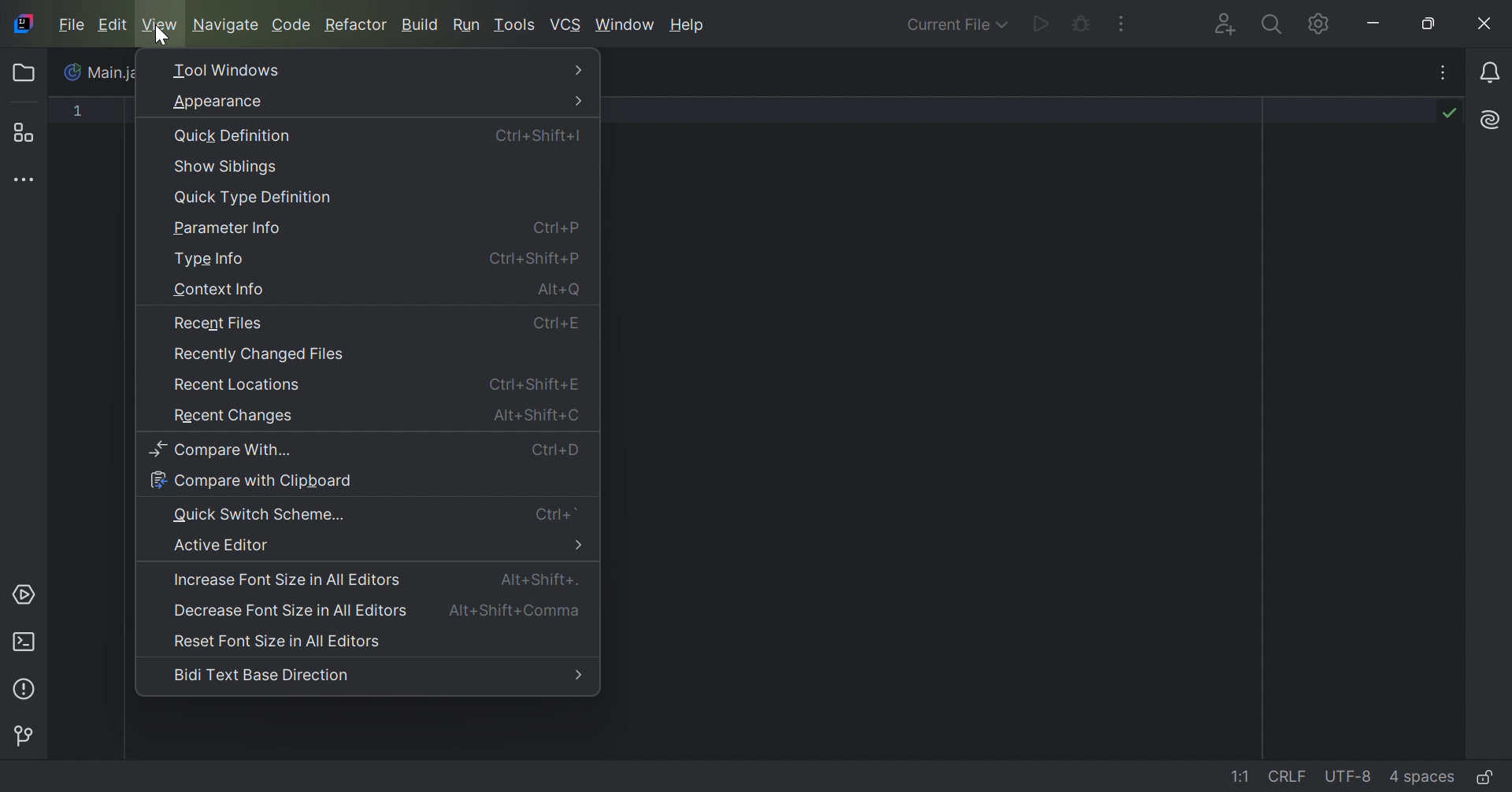  I want to click on Search everywhere, so click(1270, 27).